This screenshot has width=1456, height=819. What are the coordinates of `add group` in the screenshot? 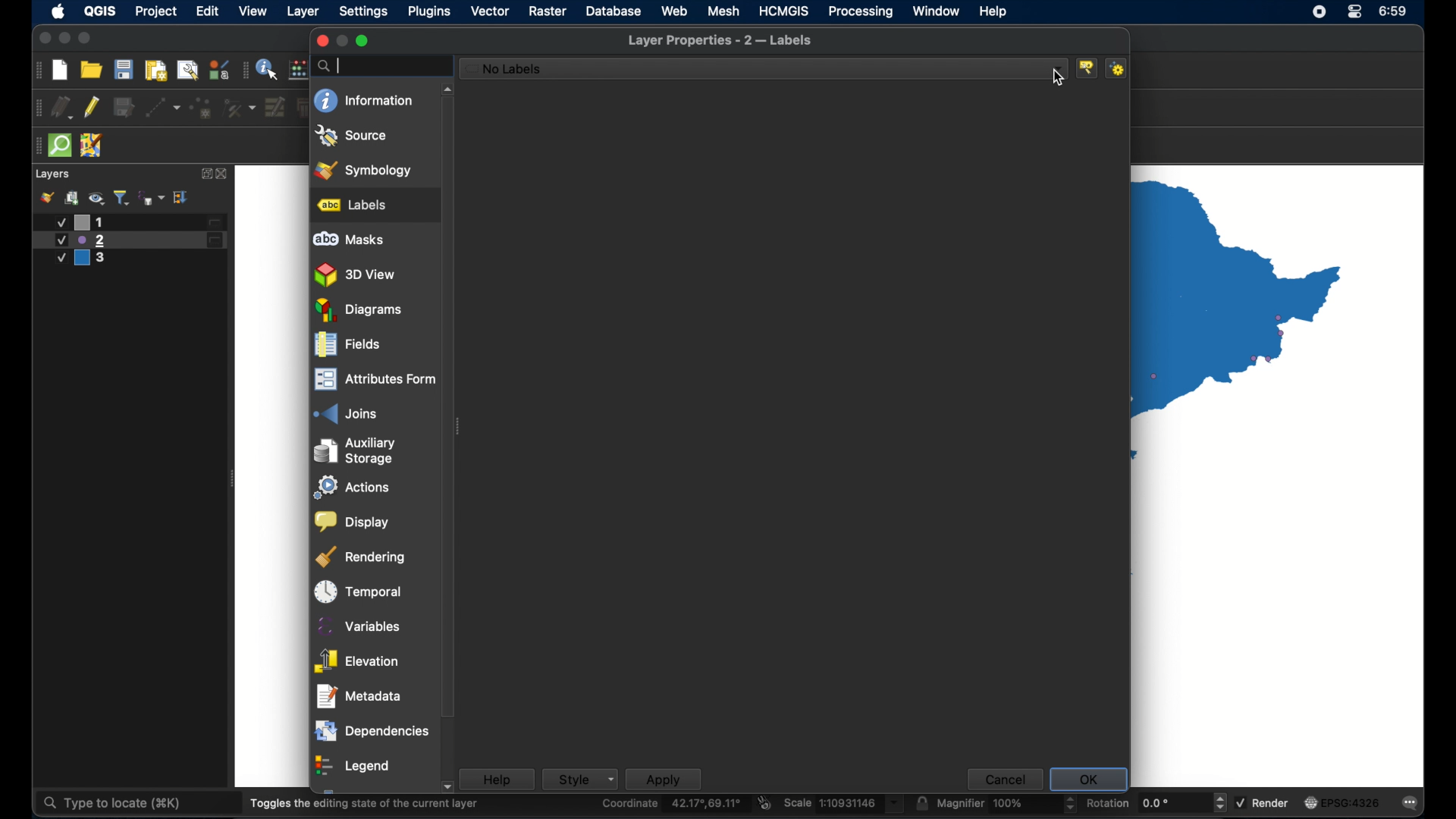 It's located at (73, 197).